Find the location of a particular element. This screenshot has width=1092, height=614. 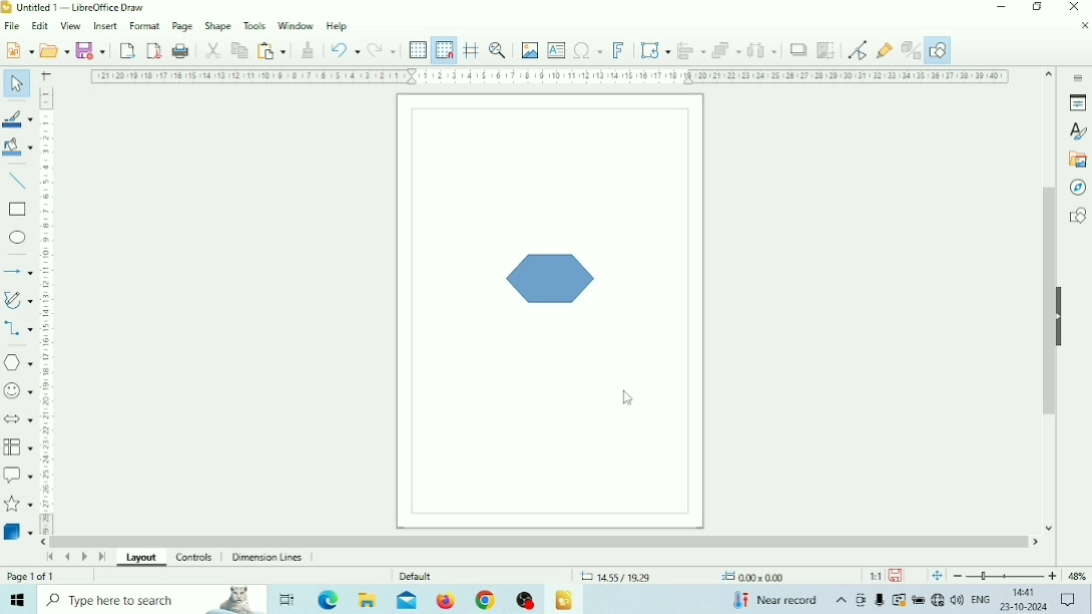

LibreOffice Draw is located at coordinates (564, 601).